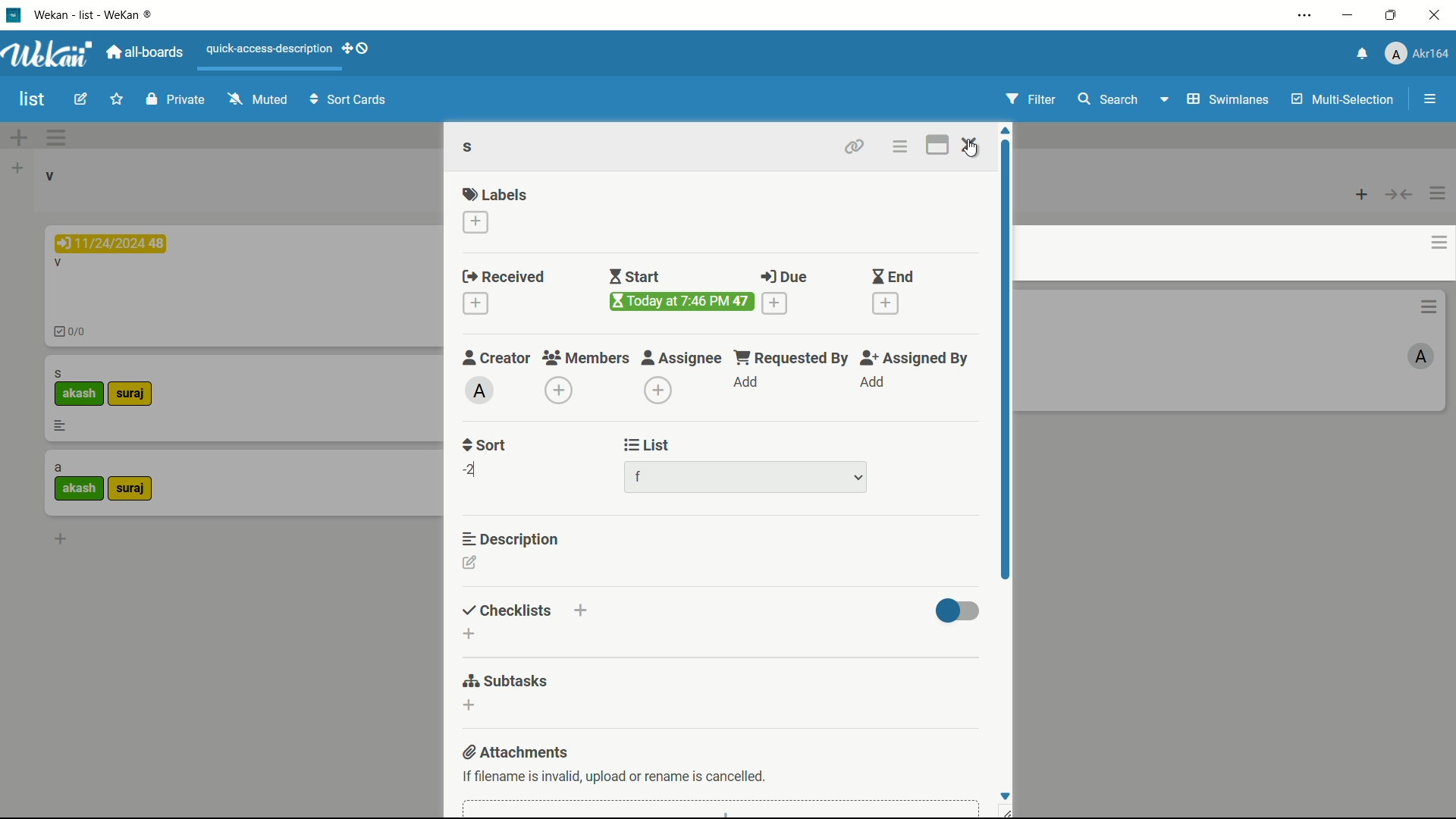 The height and width of the screenshot is (819, 1456). I want to click on admin, so click(1420, 338).